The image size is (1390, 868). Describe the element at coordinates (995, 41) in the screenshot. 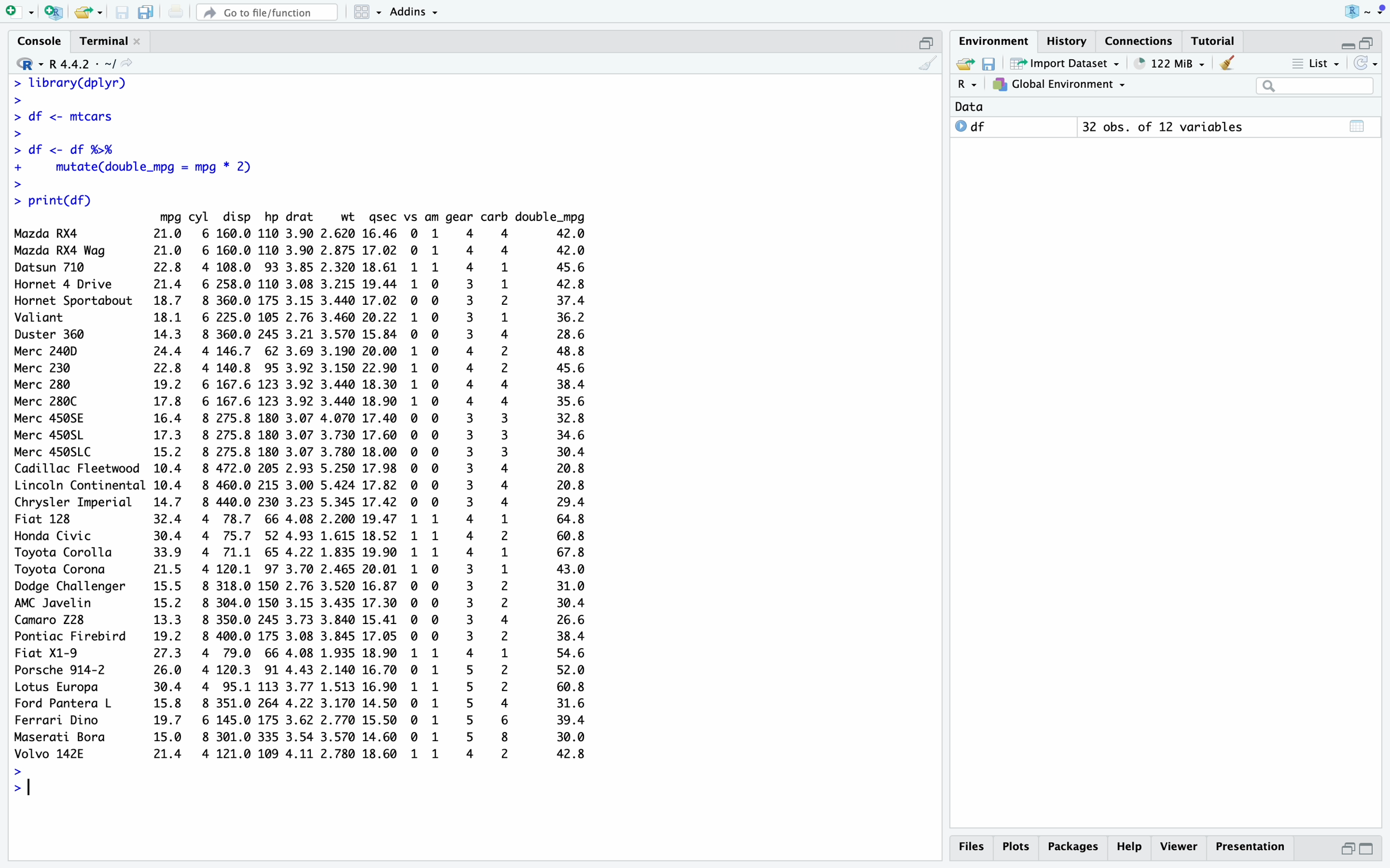

I see `Environment ` at that location.